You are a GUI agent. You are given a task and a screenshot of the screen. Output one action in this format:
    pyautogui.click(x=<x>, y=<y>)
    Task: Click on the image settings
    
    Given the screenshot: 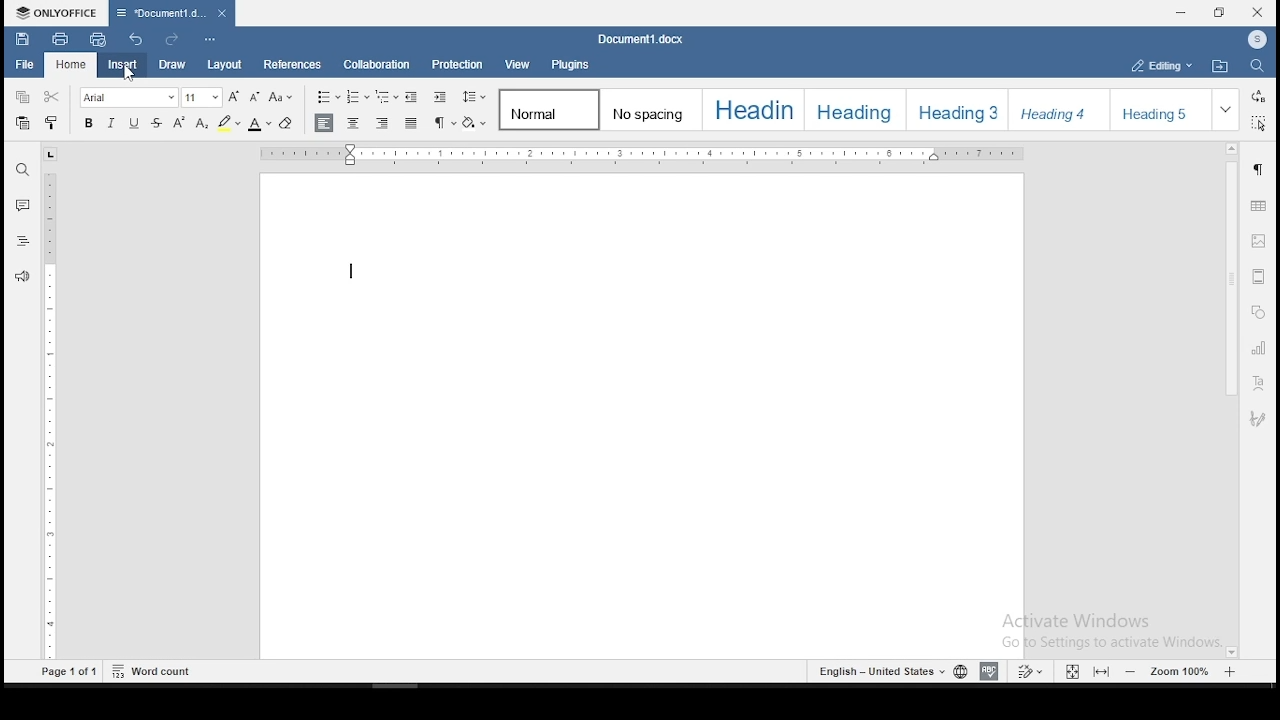 What is the action you would take?
    pyautogui.click(x=1260, y=242)
    